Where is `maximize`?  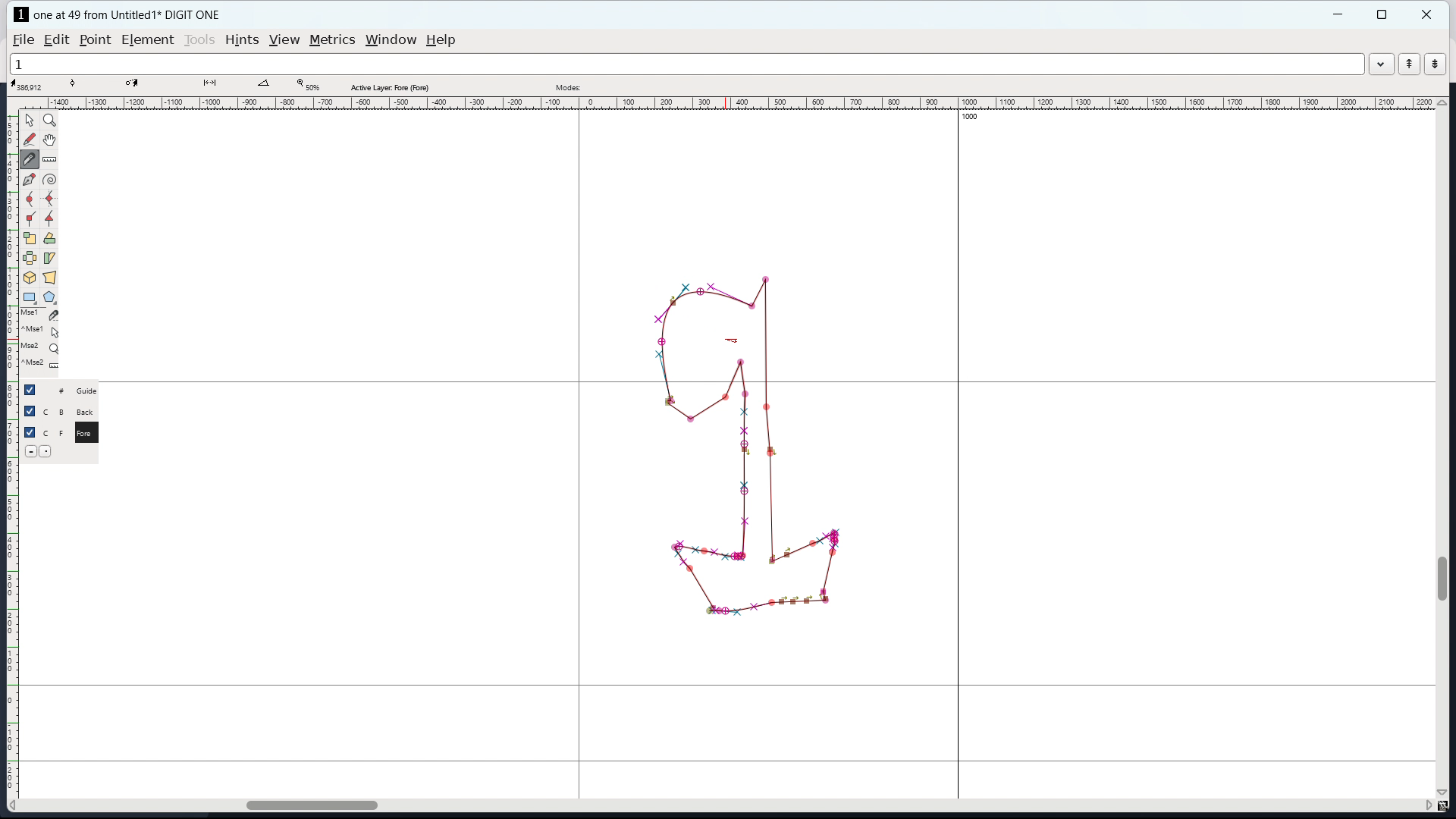 maximize is located at coordinates (1382, 14).